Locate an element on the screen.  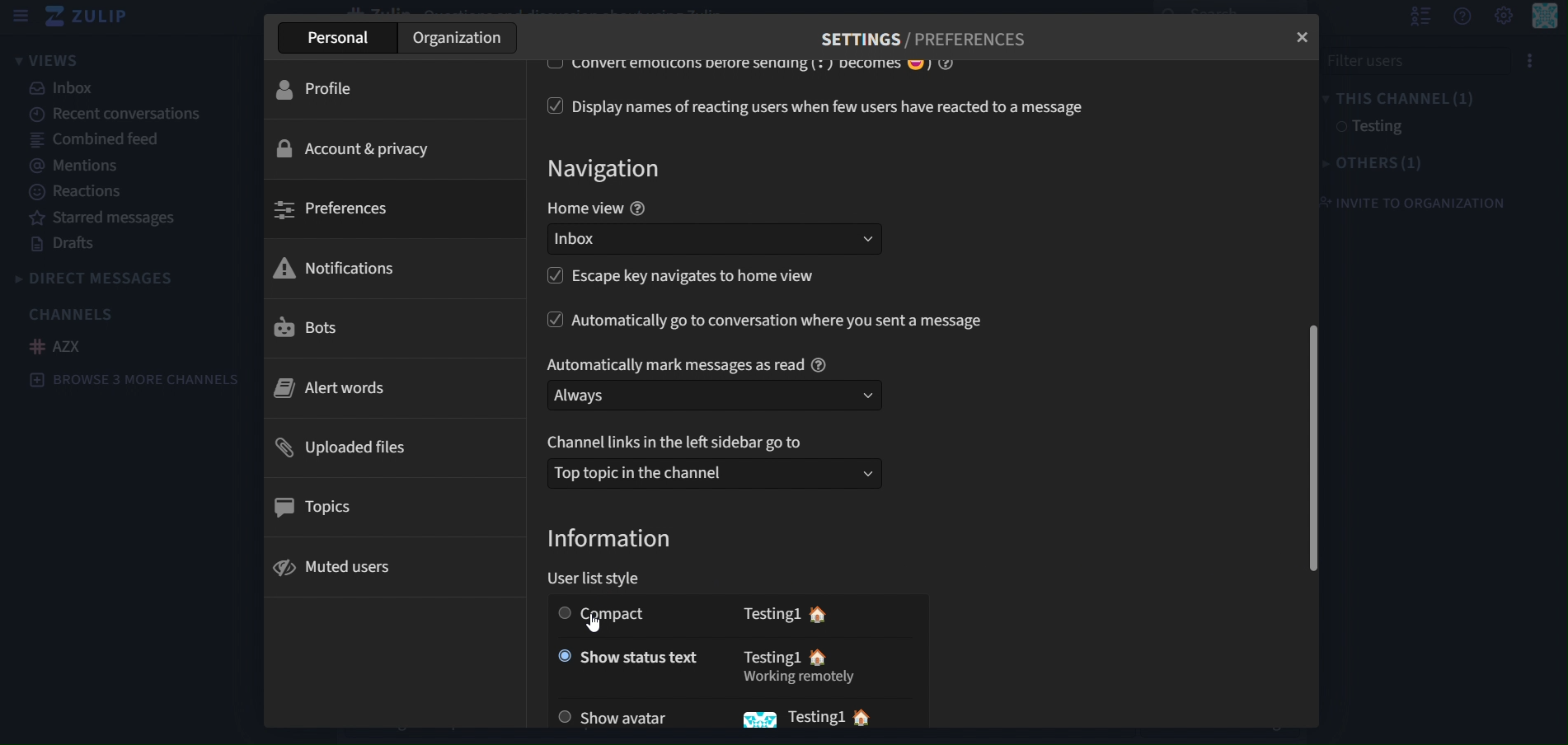
inbox is located at coordinates (722, 241).